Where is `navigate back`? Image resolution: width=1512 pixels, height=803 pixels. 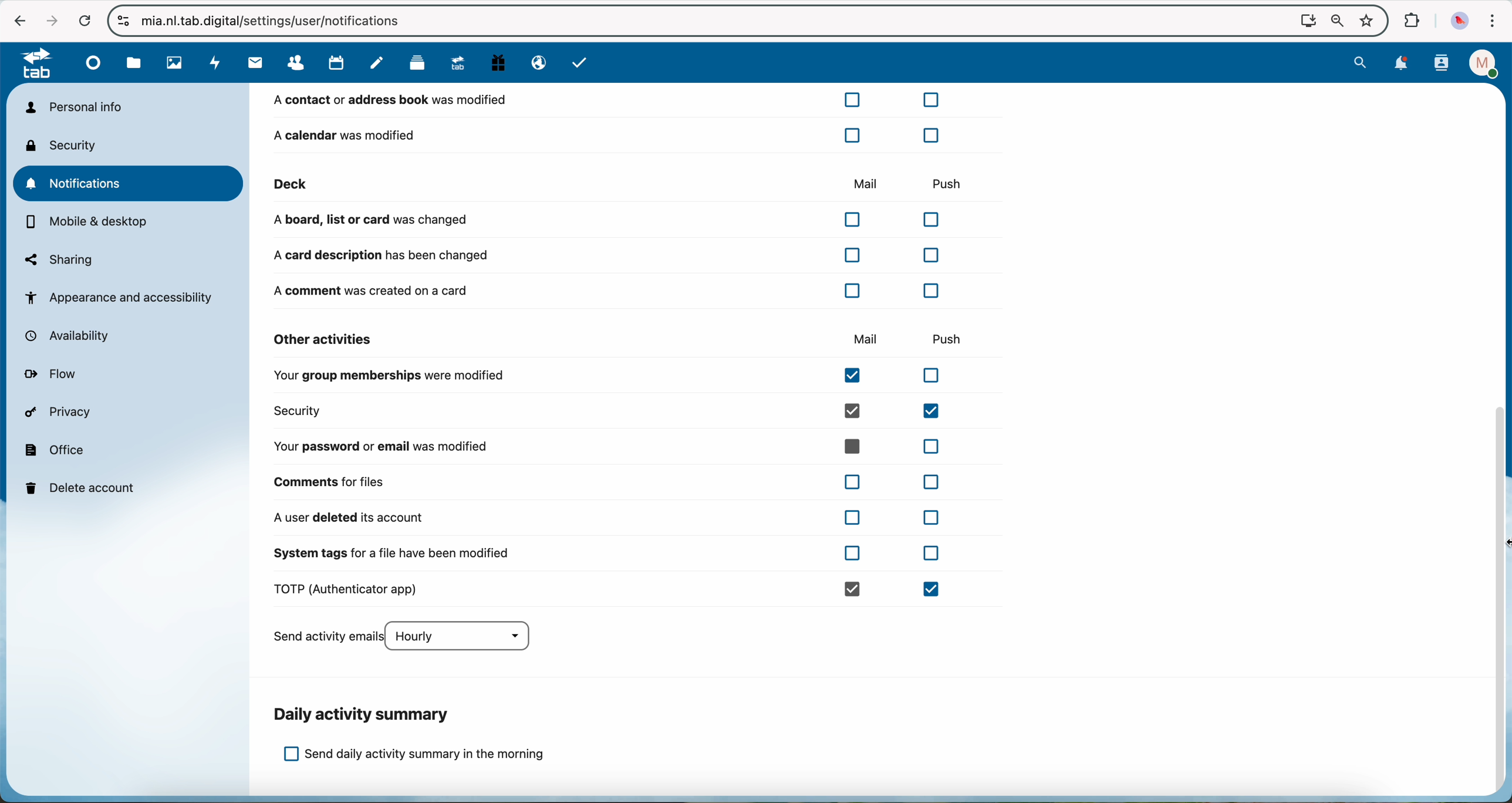
navigate back is located at coordinates (17, 20).